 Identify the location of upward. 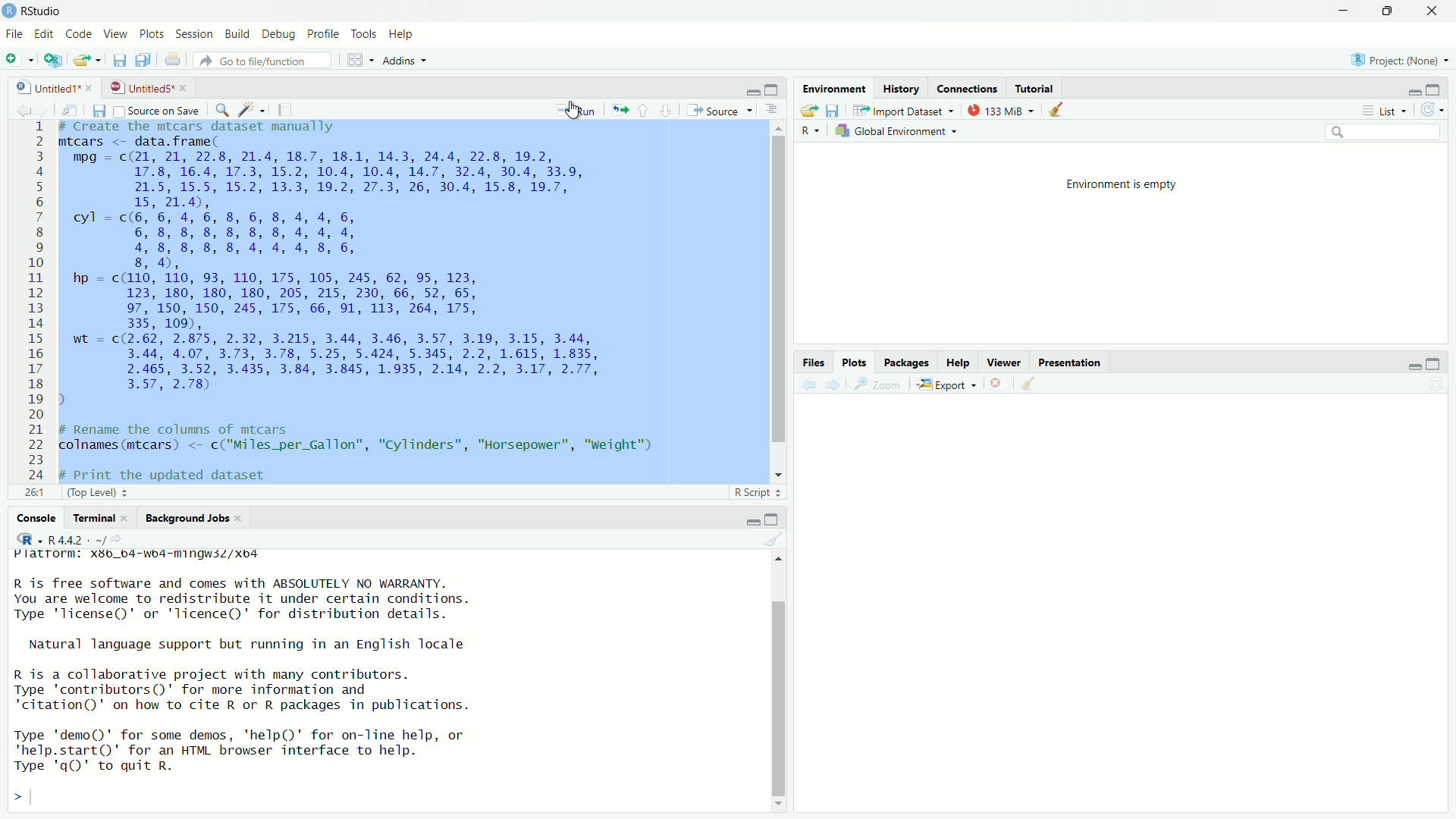
(645, 108).